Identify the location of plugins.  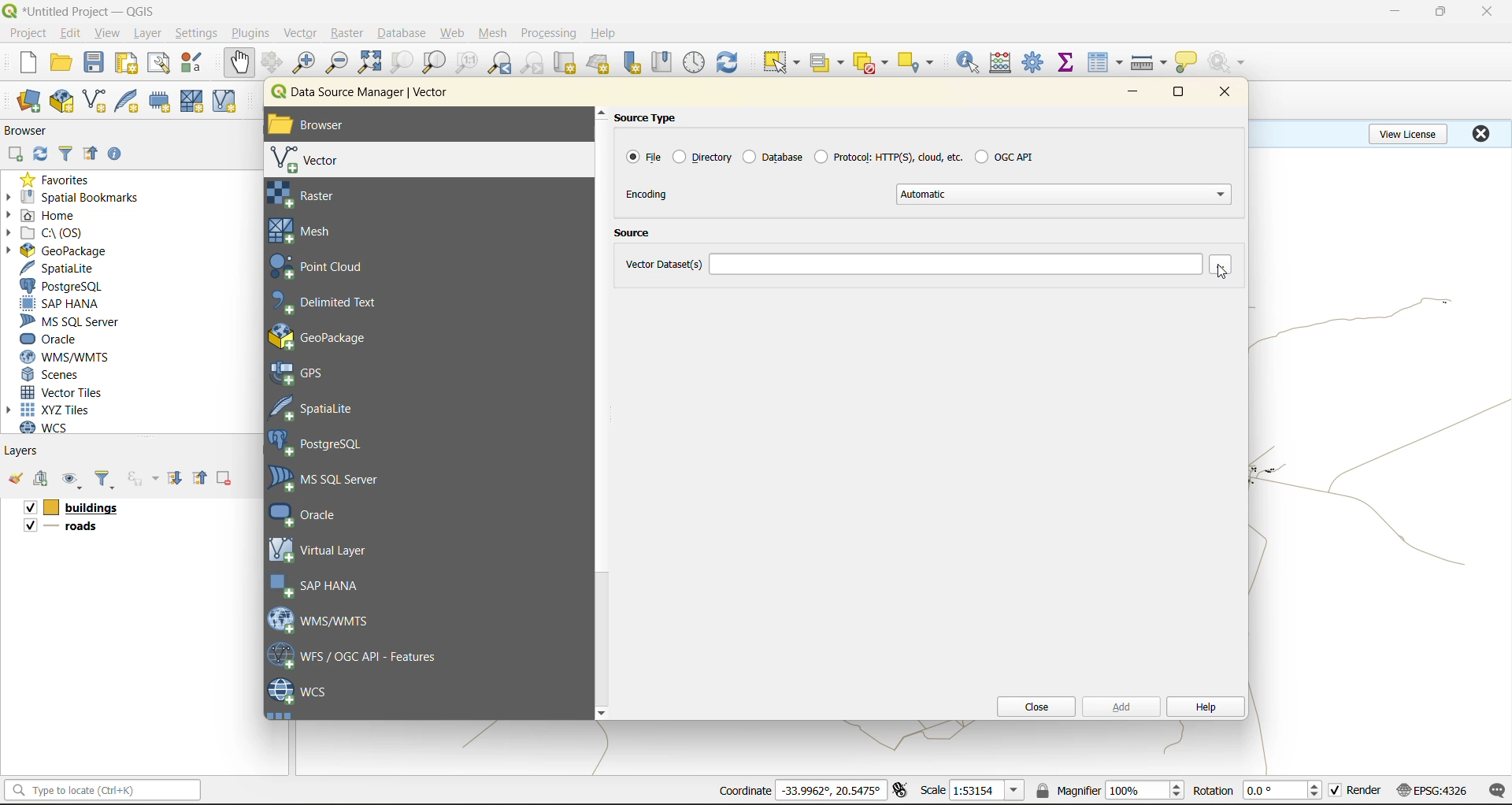
(254, 32).